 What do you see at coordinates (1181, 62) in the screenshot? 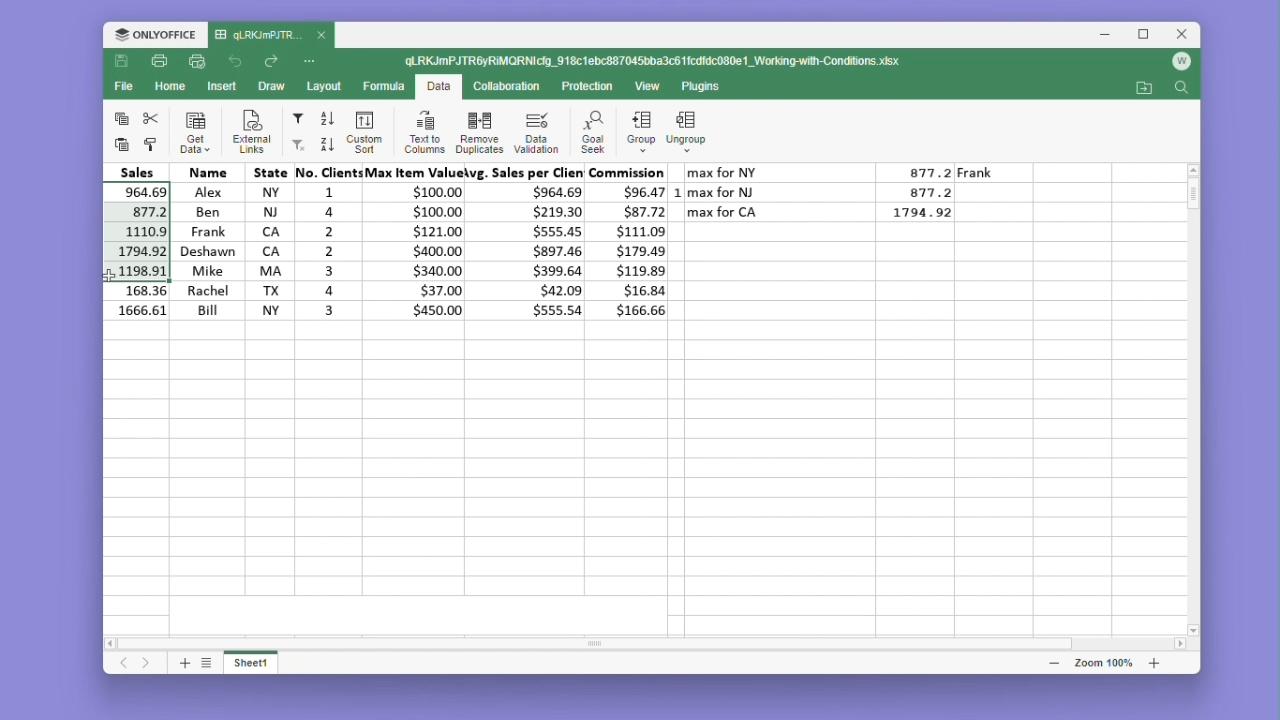
I see `Account icon` at bounding box center [1181, 62].